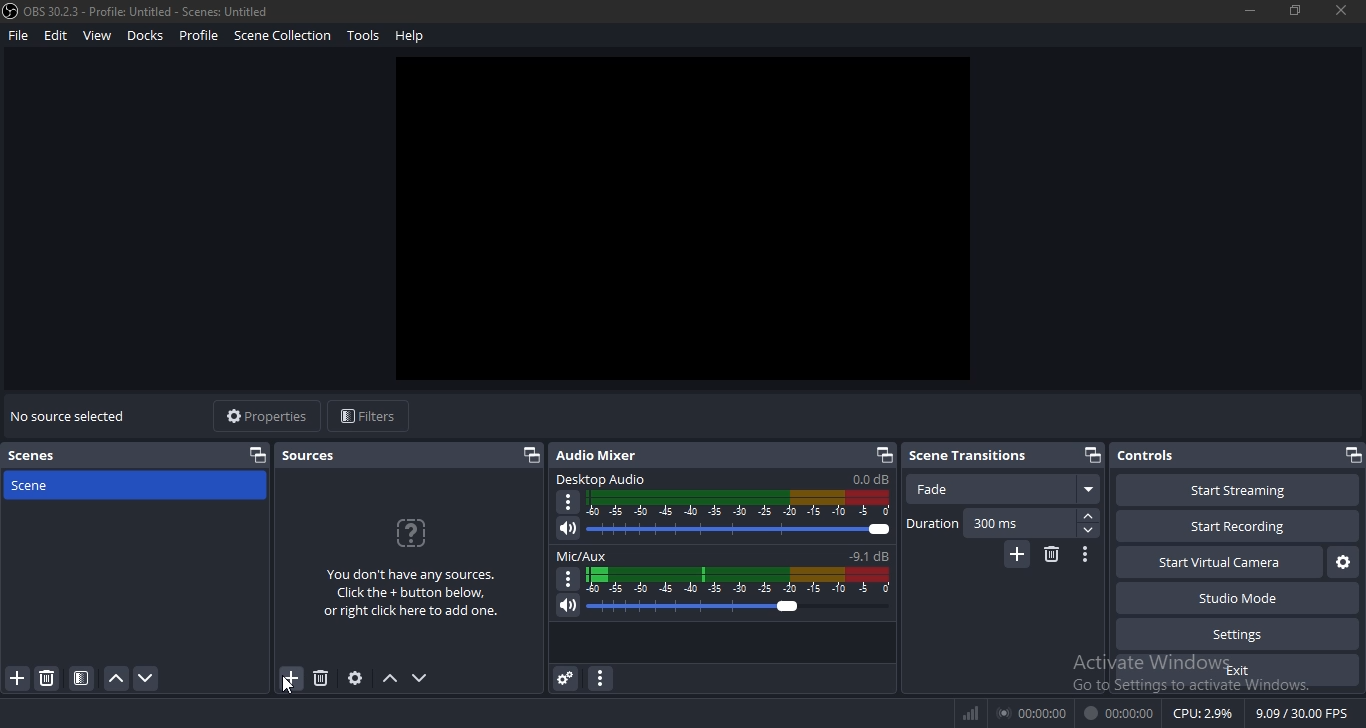 The height and width of the screenshot is (728, 1366). I want to click on desktop audio, so click(724, 507).